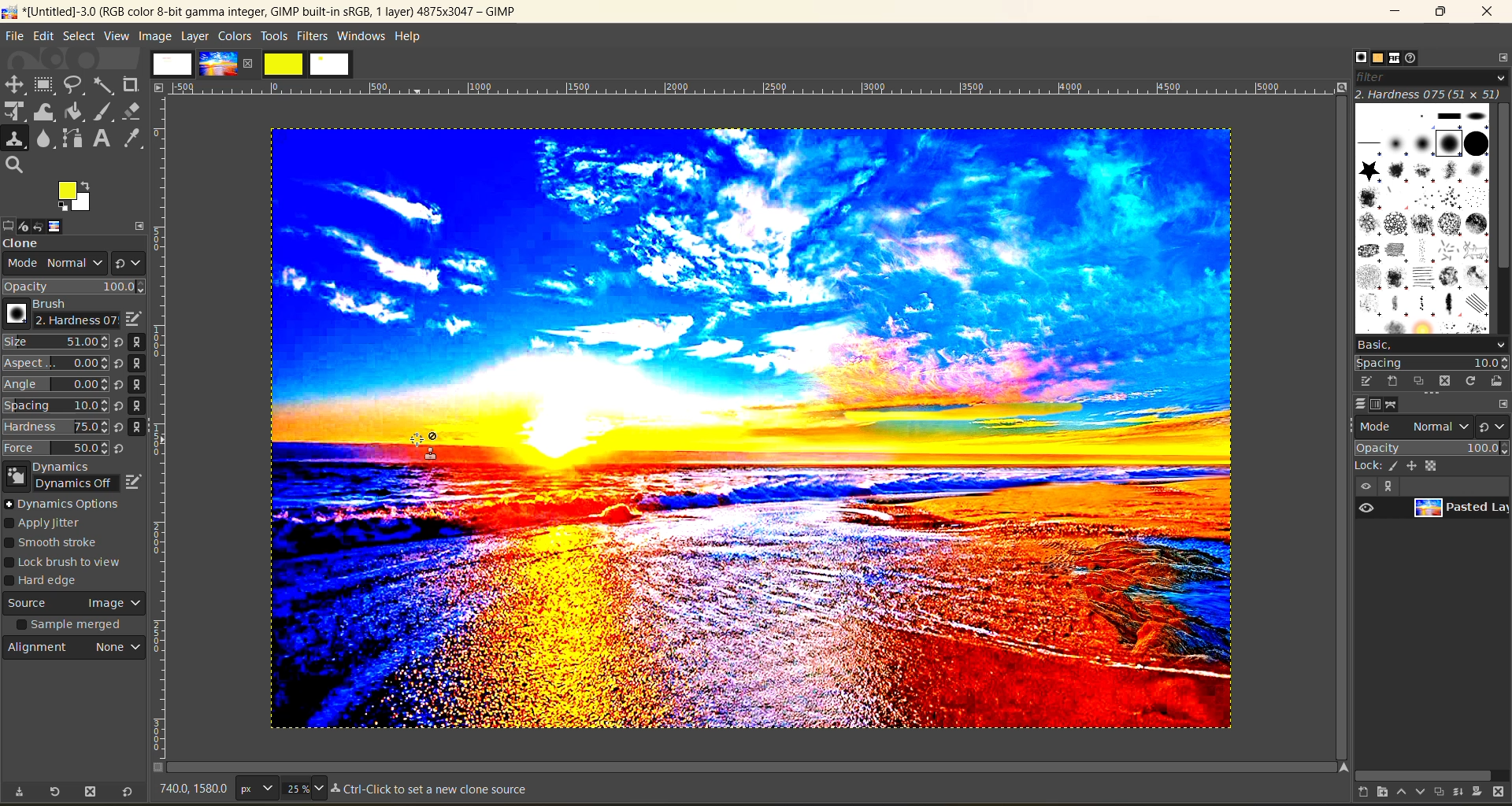 This screenshot has width=1512, height=806. I want to click on size, so click(303, 788).